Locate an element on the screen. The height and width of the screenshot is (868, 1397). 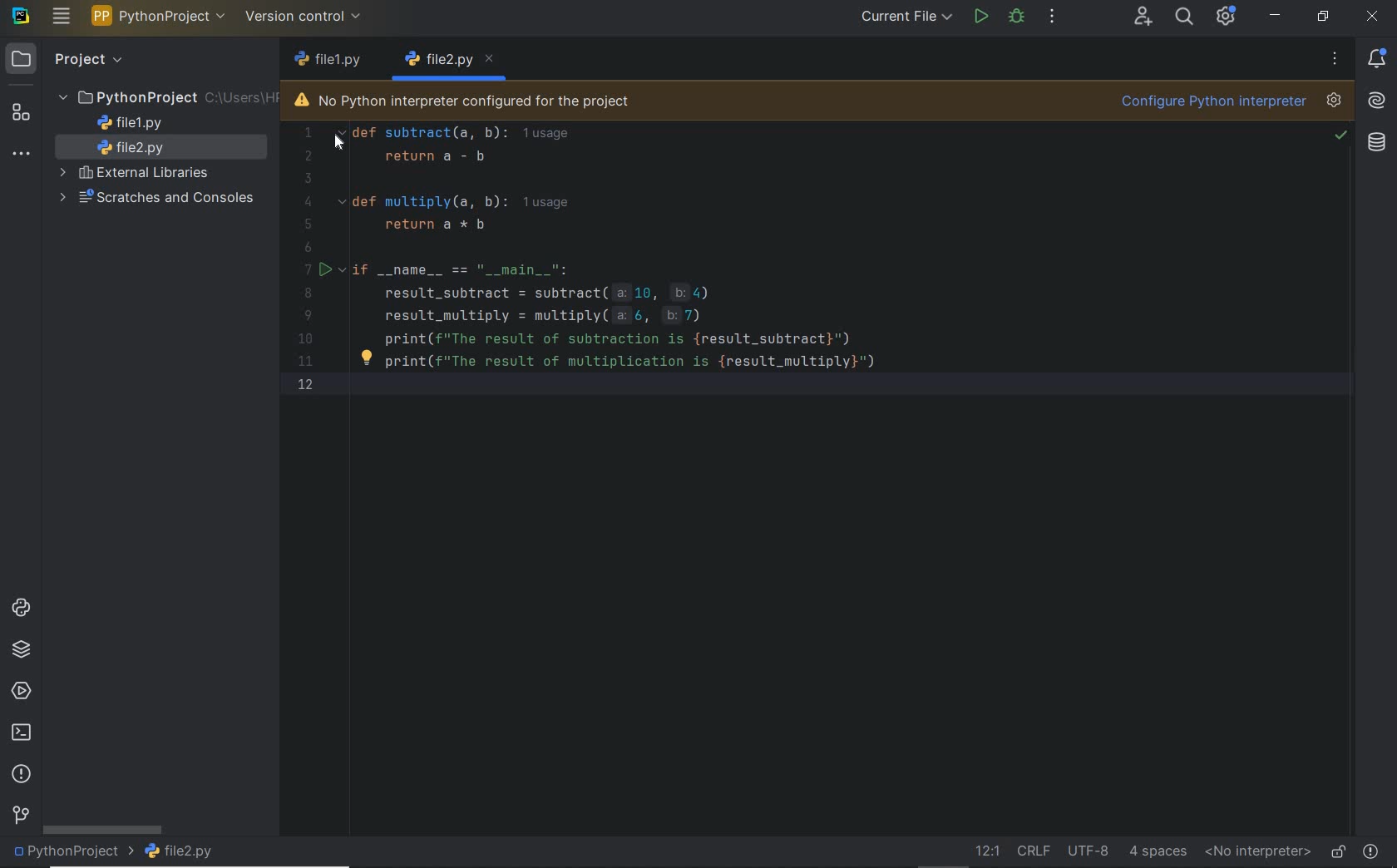
cursor is located at coordinates (338, 143).